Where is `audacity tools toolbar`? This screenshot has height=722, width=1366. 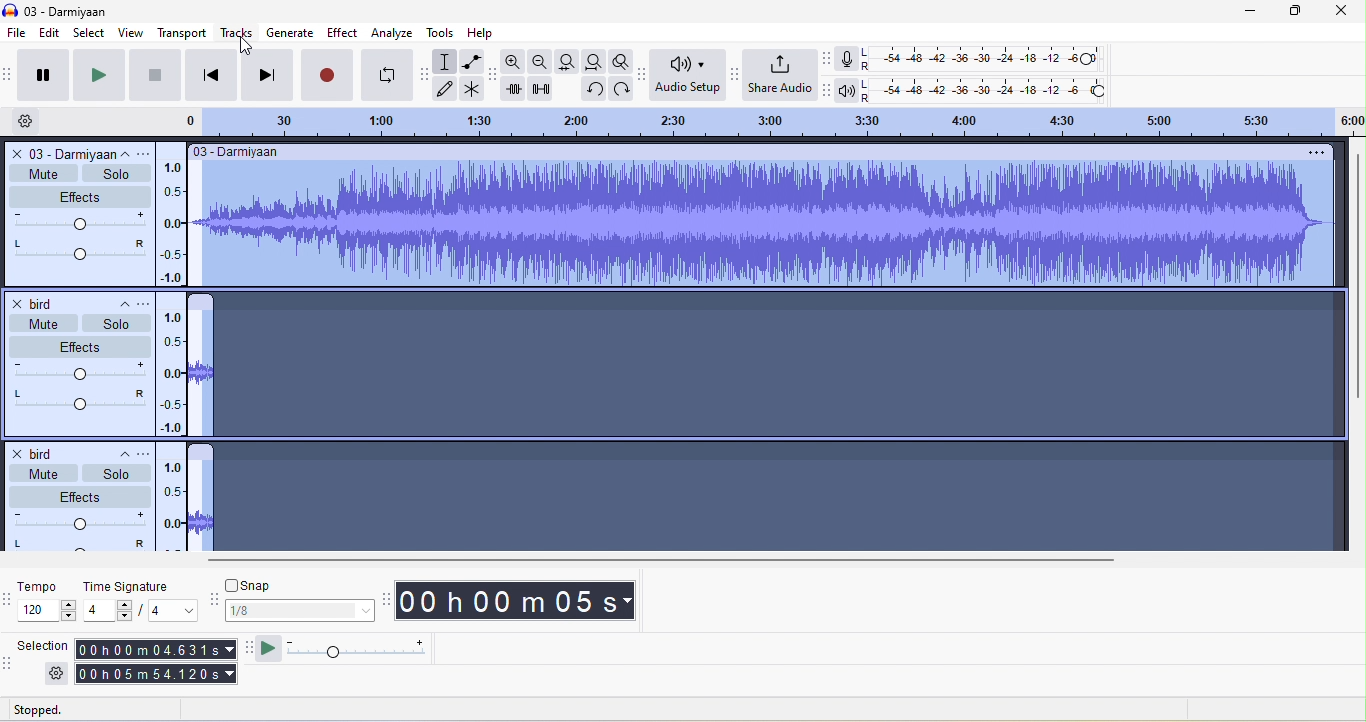
audacity tools toolbar is located at coordinates (426, 75).